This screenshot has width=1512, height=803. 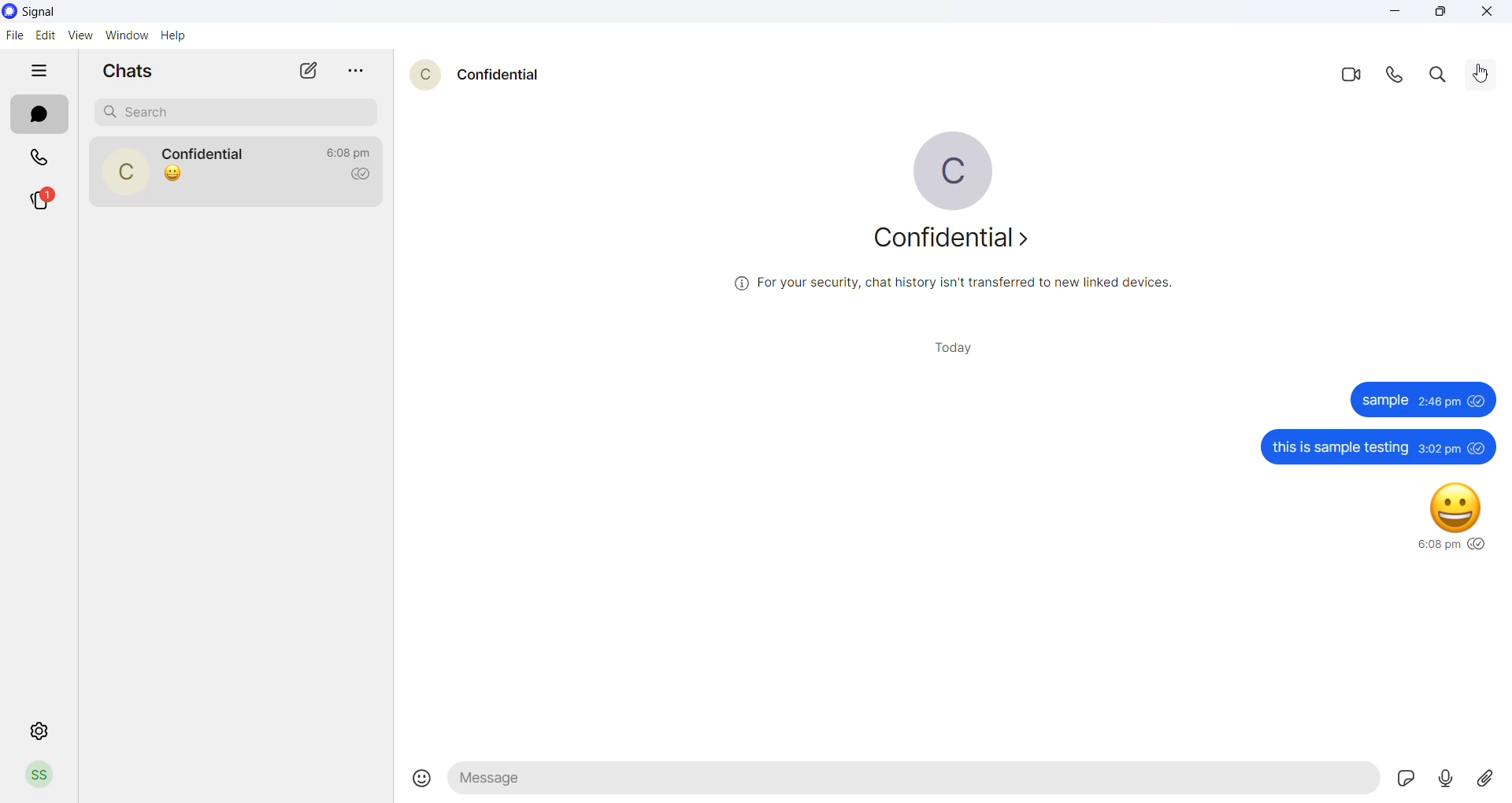 What do you see at coordinates (1395, 72) in the screenshot?
I see `voice call` at bounding box center [1395, 72].